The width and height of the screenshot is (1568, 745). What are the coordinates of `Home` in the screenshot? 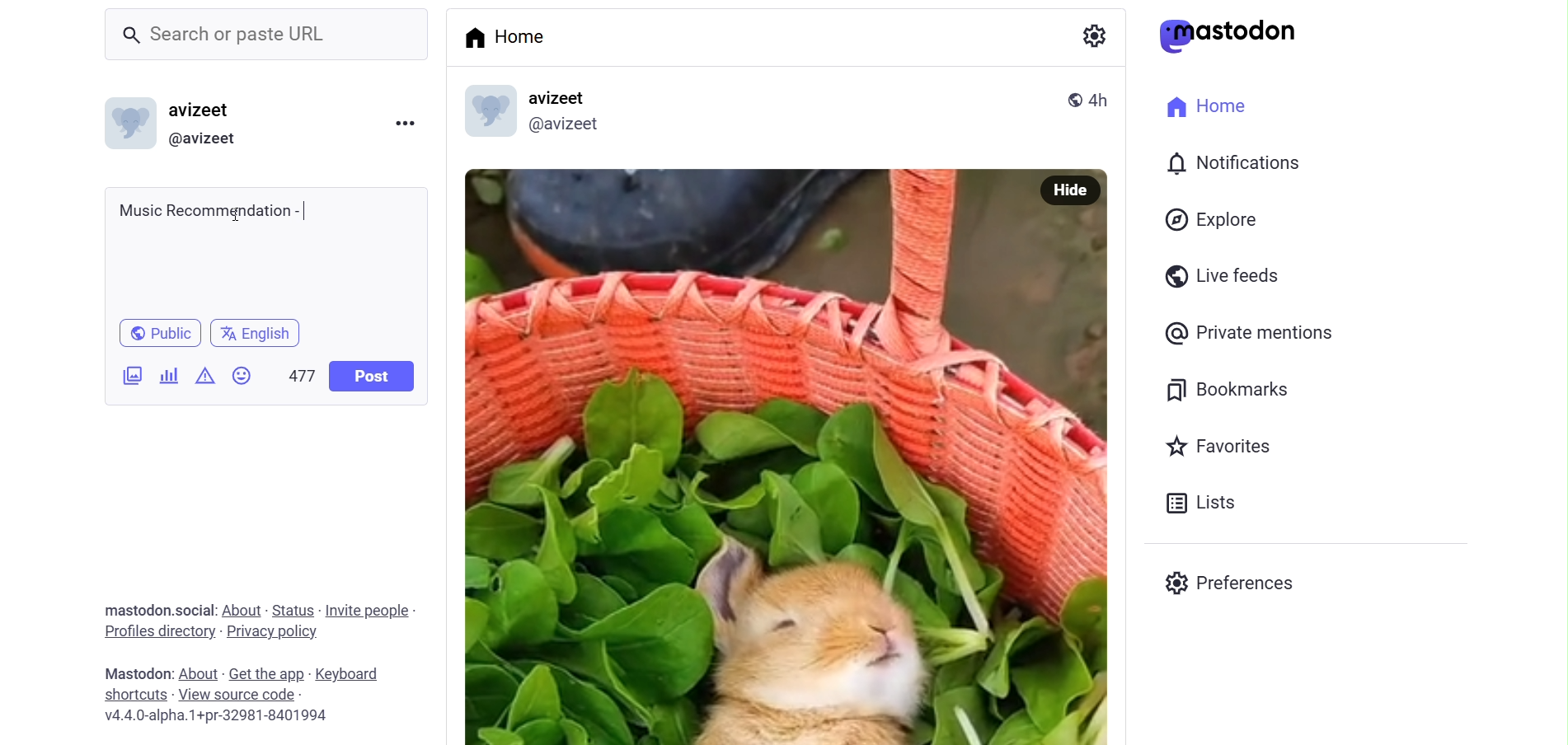 It's located at (1210, 105).